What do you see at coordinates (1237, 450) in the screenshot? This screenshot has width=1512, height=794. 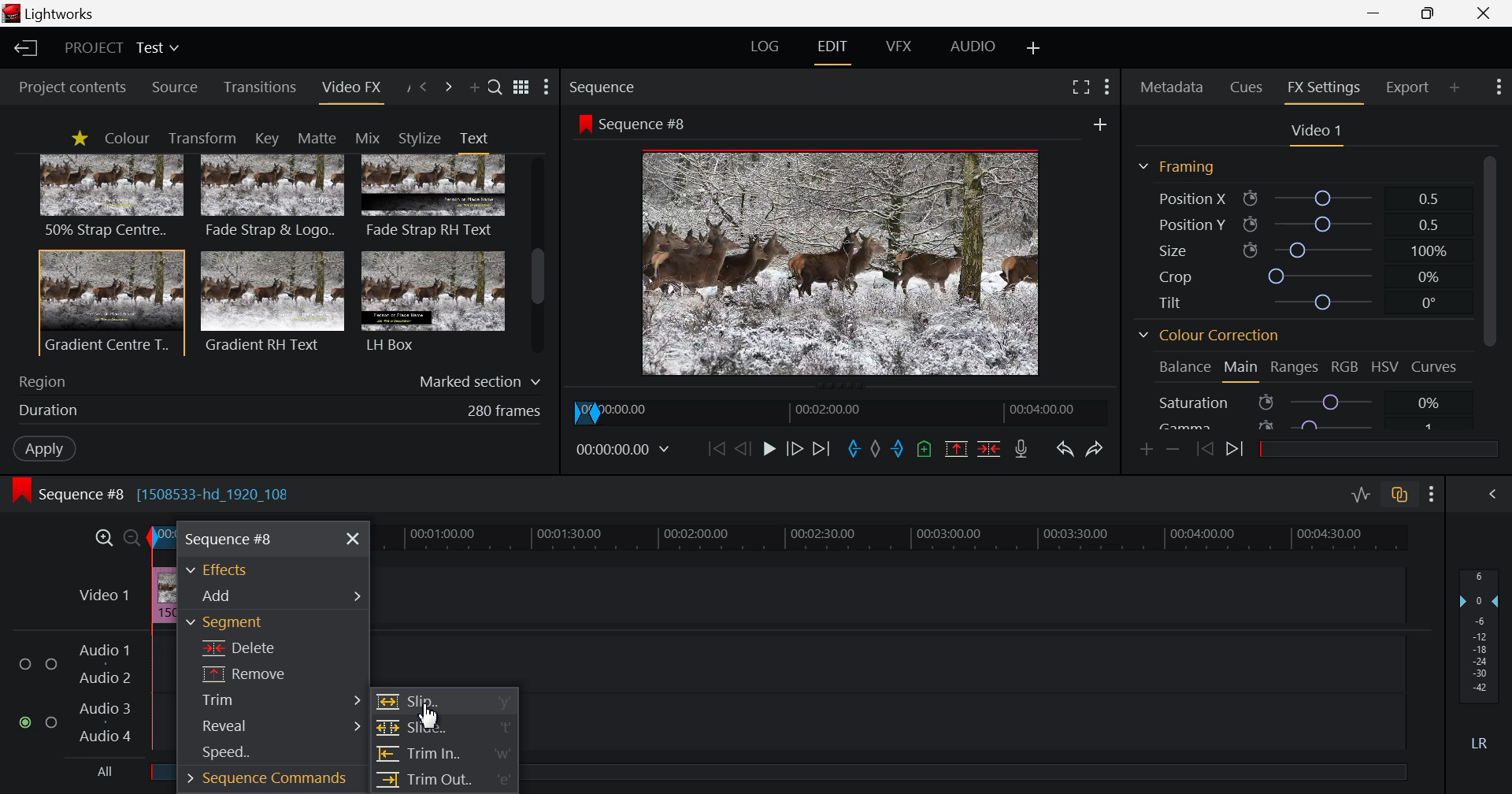 I see `Next keyframe` at bounding box center [1237, 450].